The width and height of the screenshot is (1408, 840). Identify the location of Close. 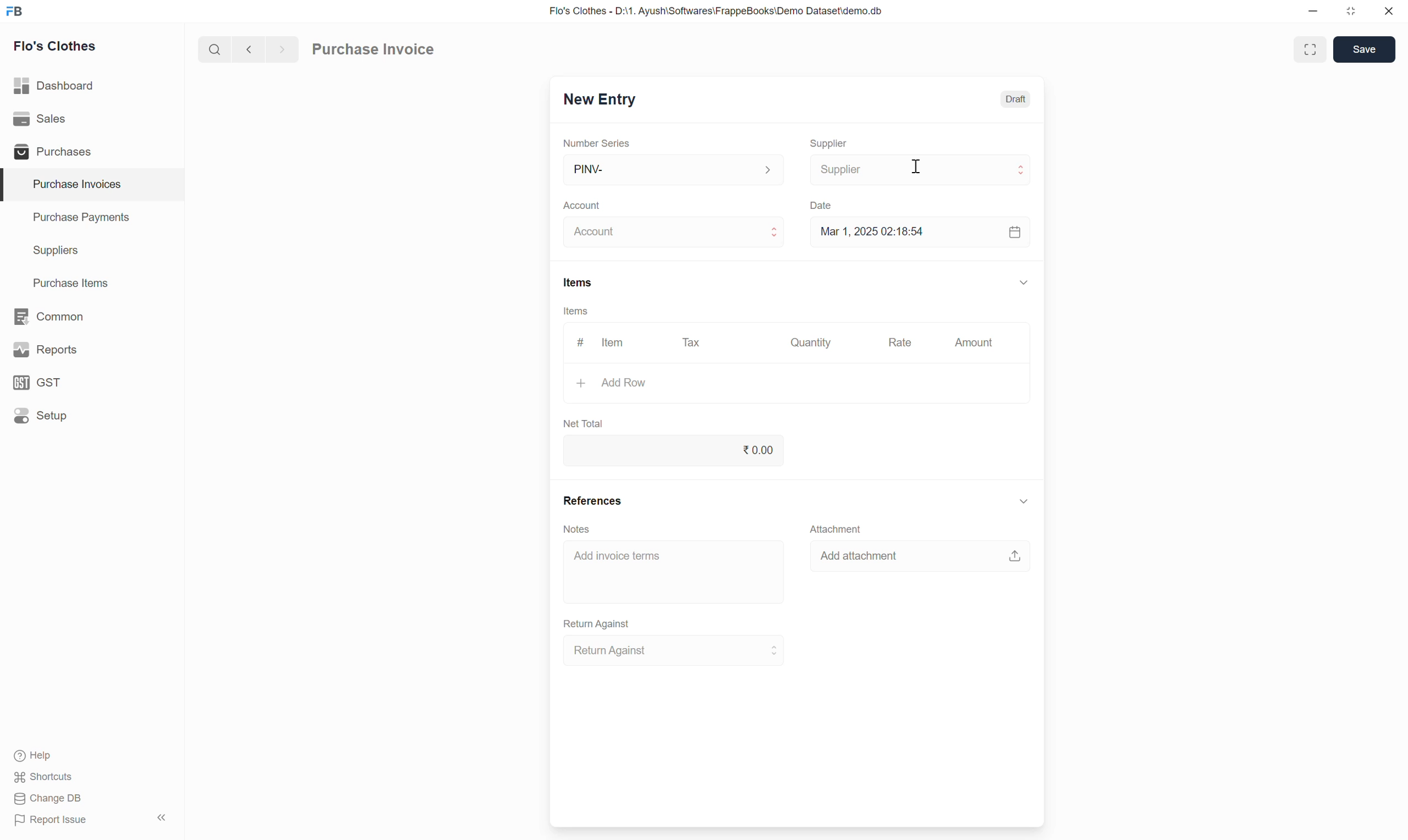
(1389, 11).